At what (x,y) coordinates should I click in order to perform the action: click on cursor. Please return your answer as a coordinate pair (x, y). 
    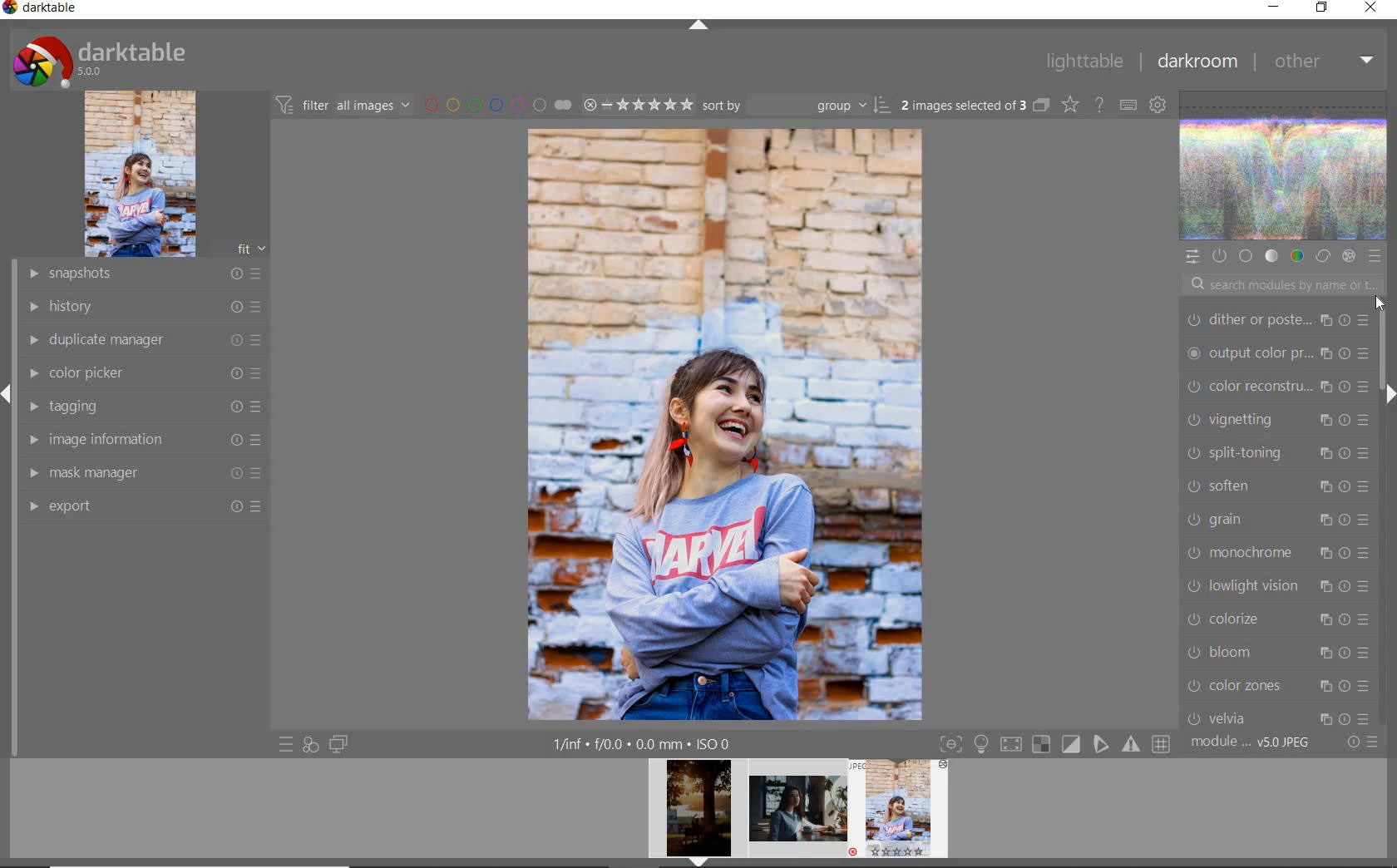
    Looking at the image, I should click on (1386, 308).